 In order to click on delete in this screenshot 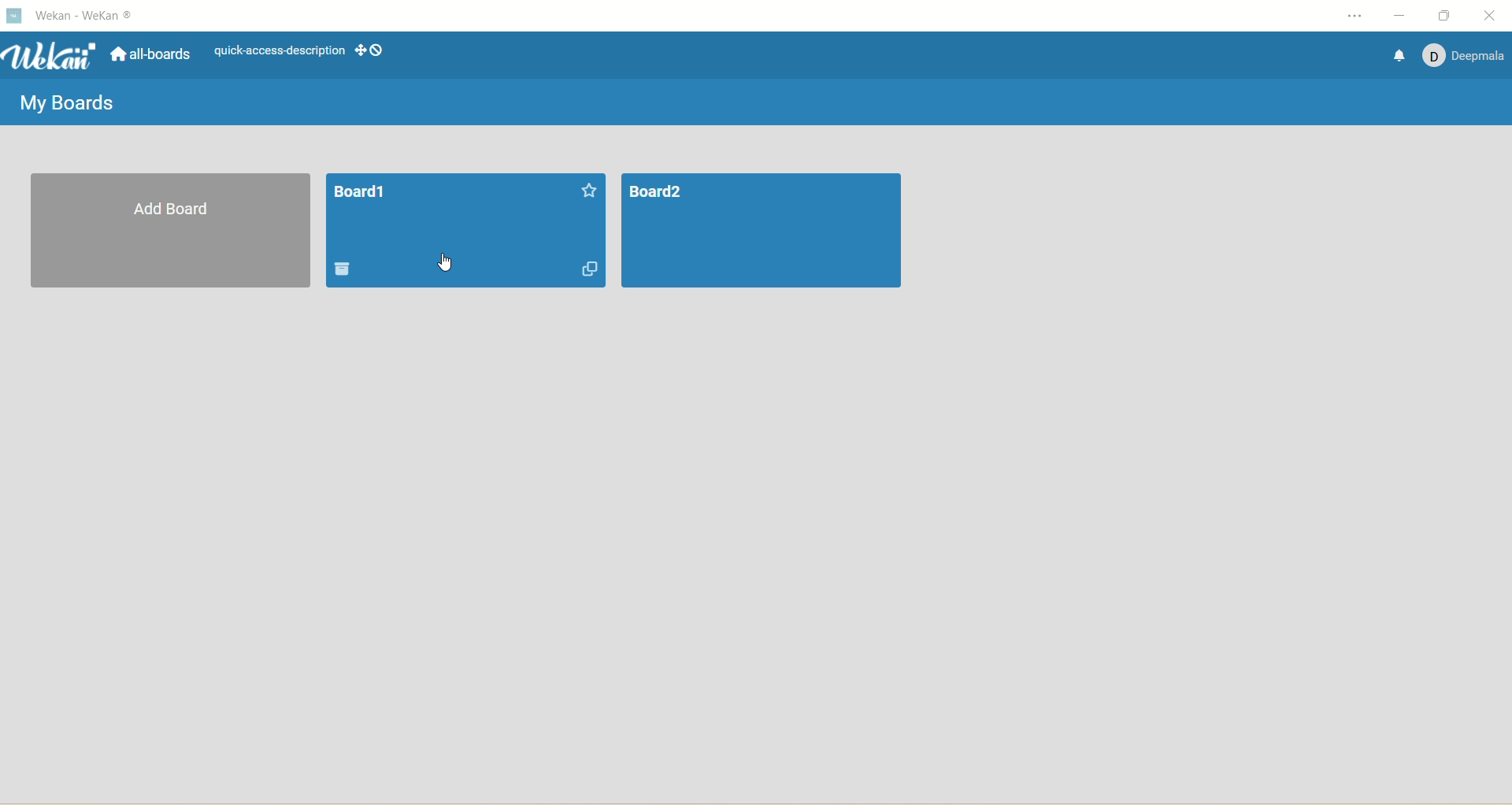, I will do `click(346, 268)`.